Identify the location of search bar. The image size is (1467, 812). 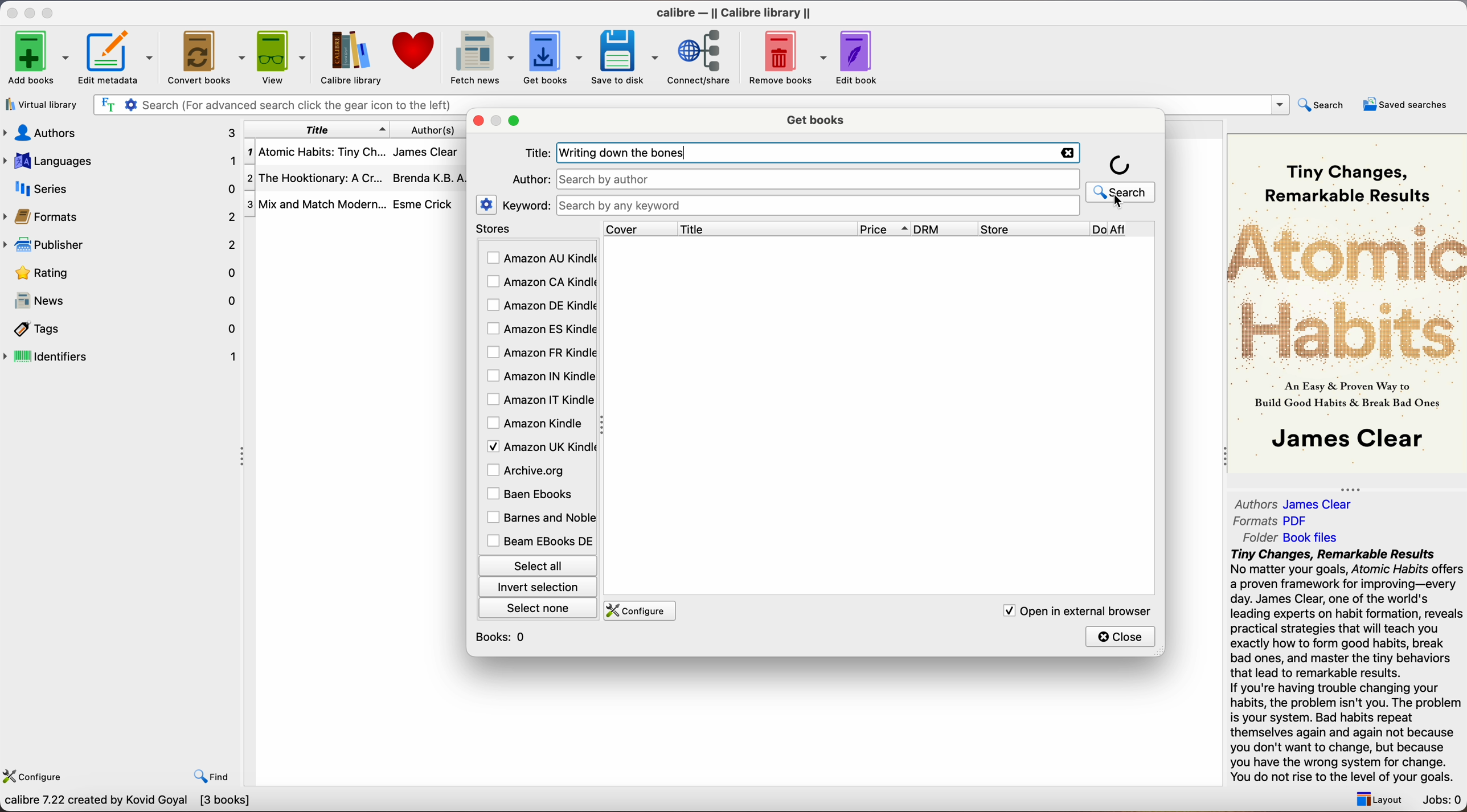
(276, 105).